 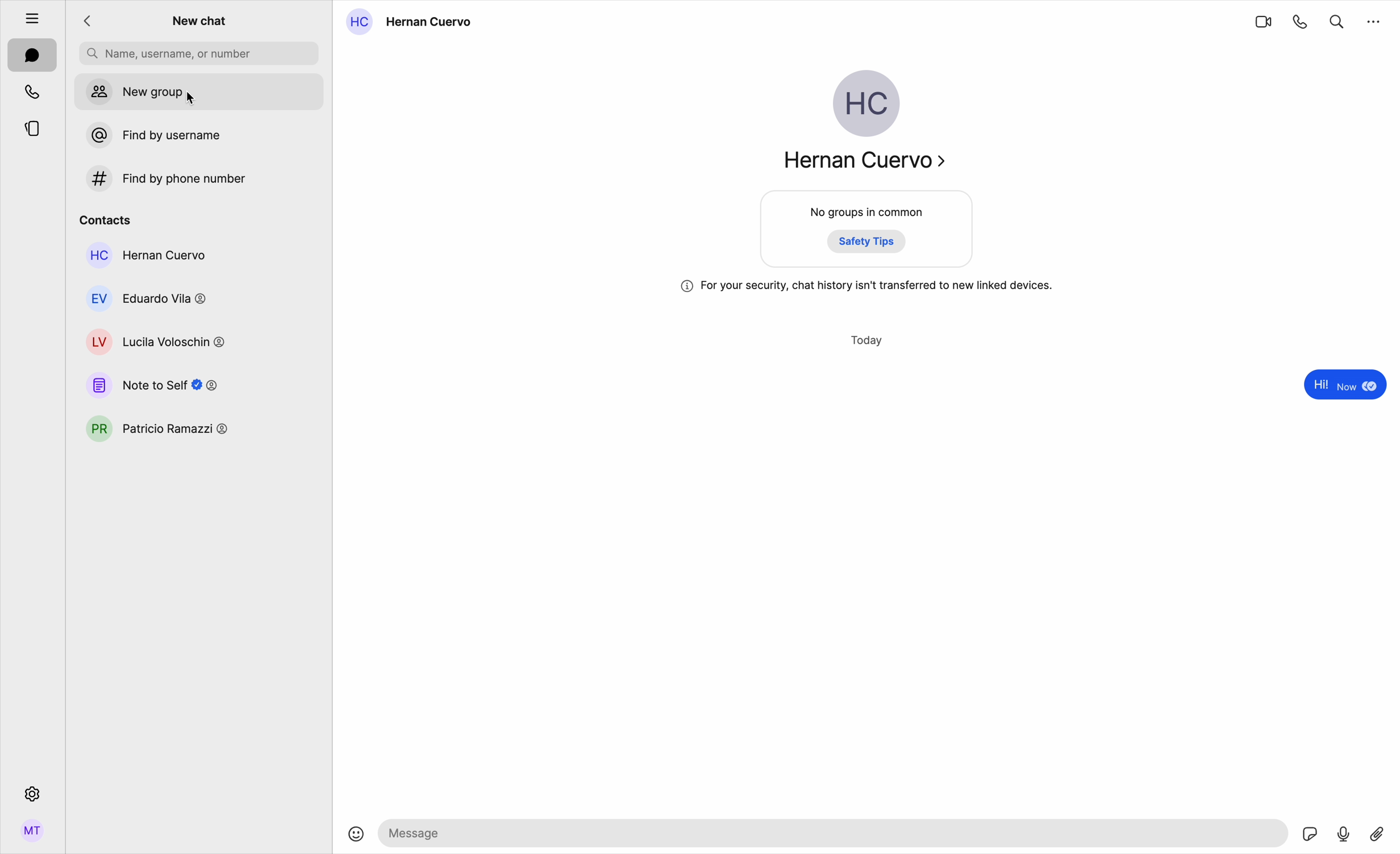 I want to click on arrow, so click(x=91, y=22).